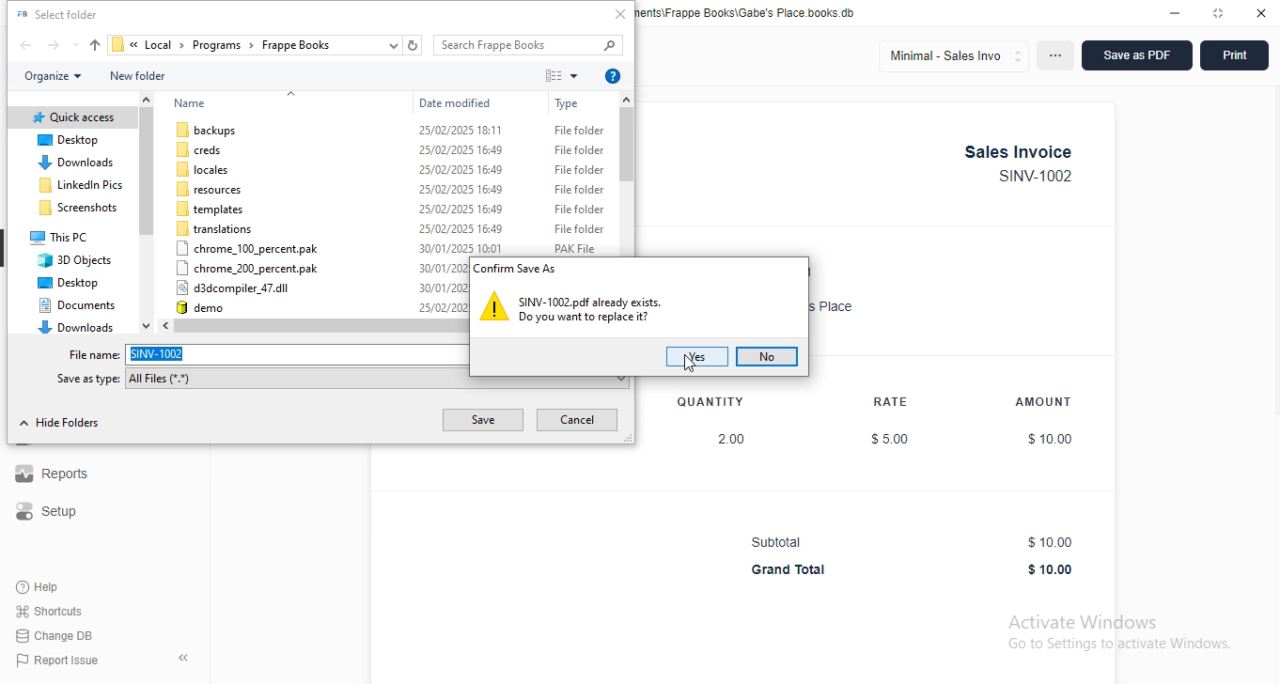 Image resolution: width=1280 pixels, height=684 pixels. Describe the element at coordinates (135, 45) in the screenshot. I see `drop down` at that location.